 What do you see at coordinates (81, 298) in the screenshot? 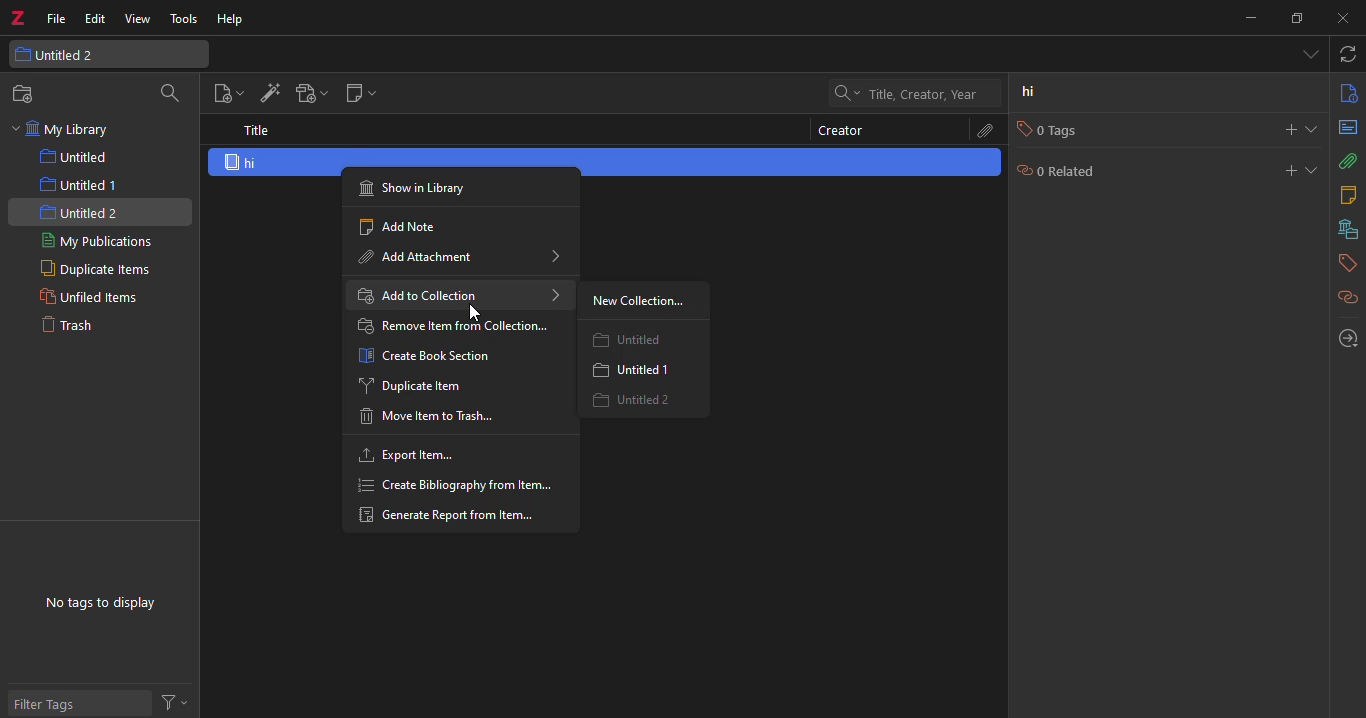
I see `unfiled items` at bounding box center [81, 298].